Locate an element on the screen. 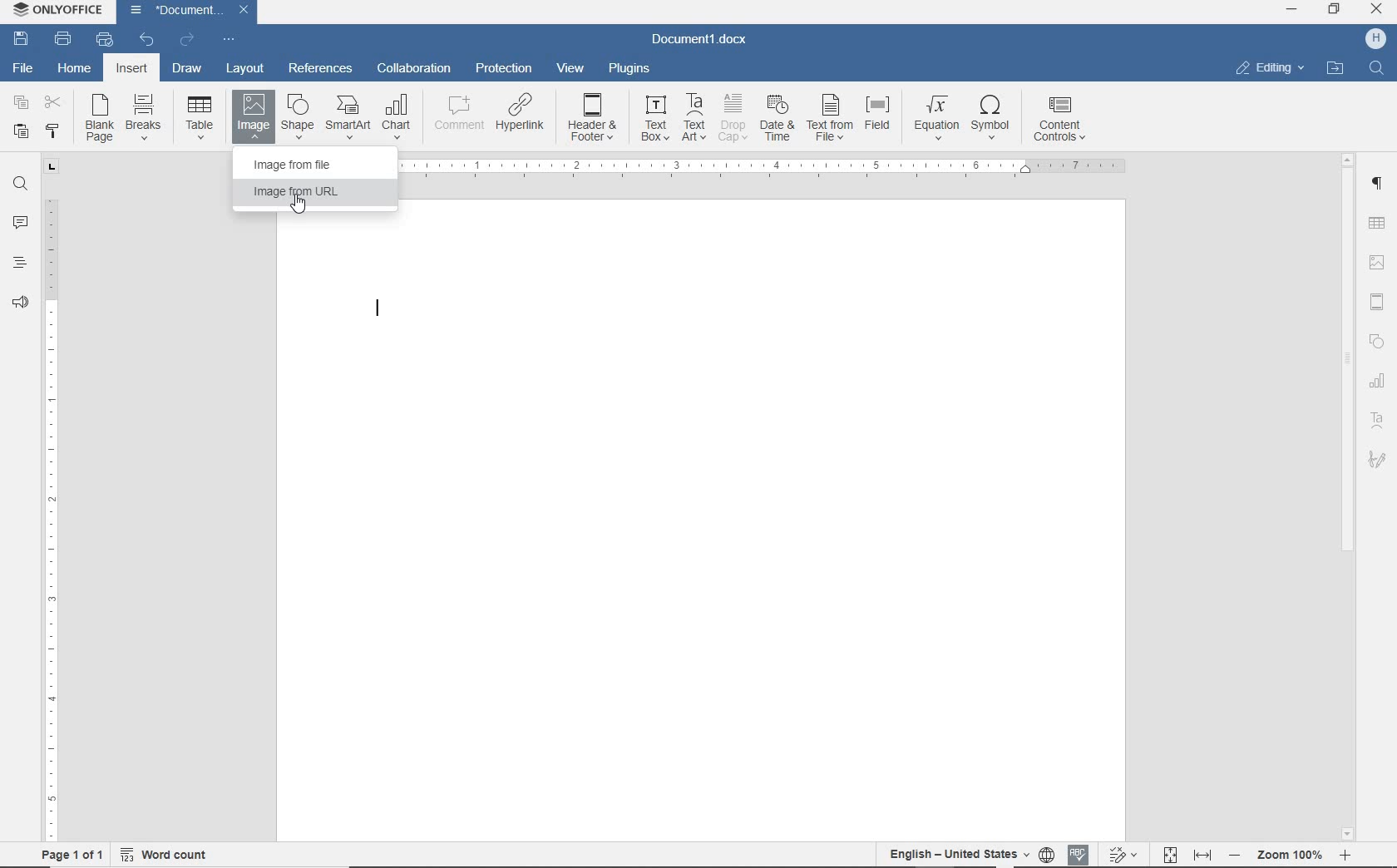  Document1(document name) is located at coordinates (191, 11).